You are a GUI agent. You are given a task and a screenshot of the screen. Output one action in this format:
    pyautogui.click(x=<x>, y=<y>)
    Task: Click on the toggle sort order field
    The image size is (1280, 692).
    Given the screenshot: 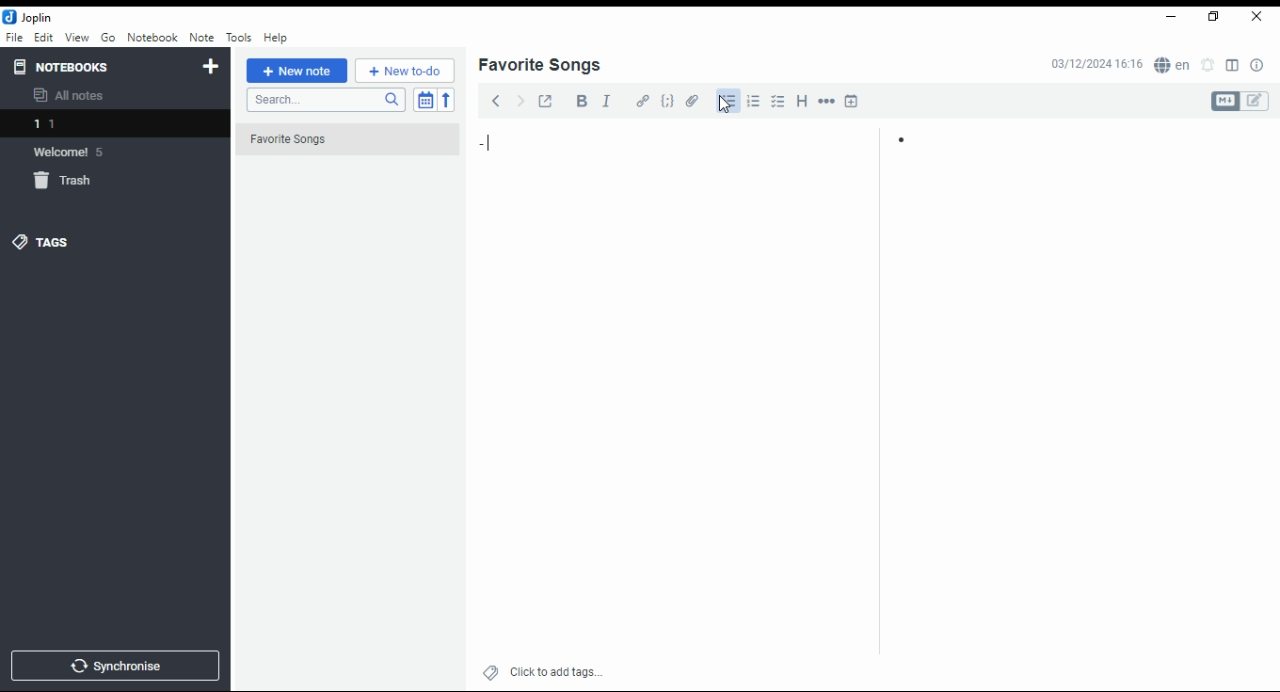 What is the action you would take?
    pyautogui.click(x=425, y=100)
    